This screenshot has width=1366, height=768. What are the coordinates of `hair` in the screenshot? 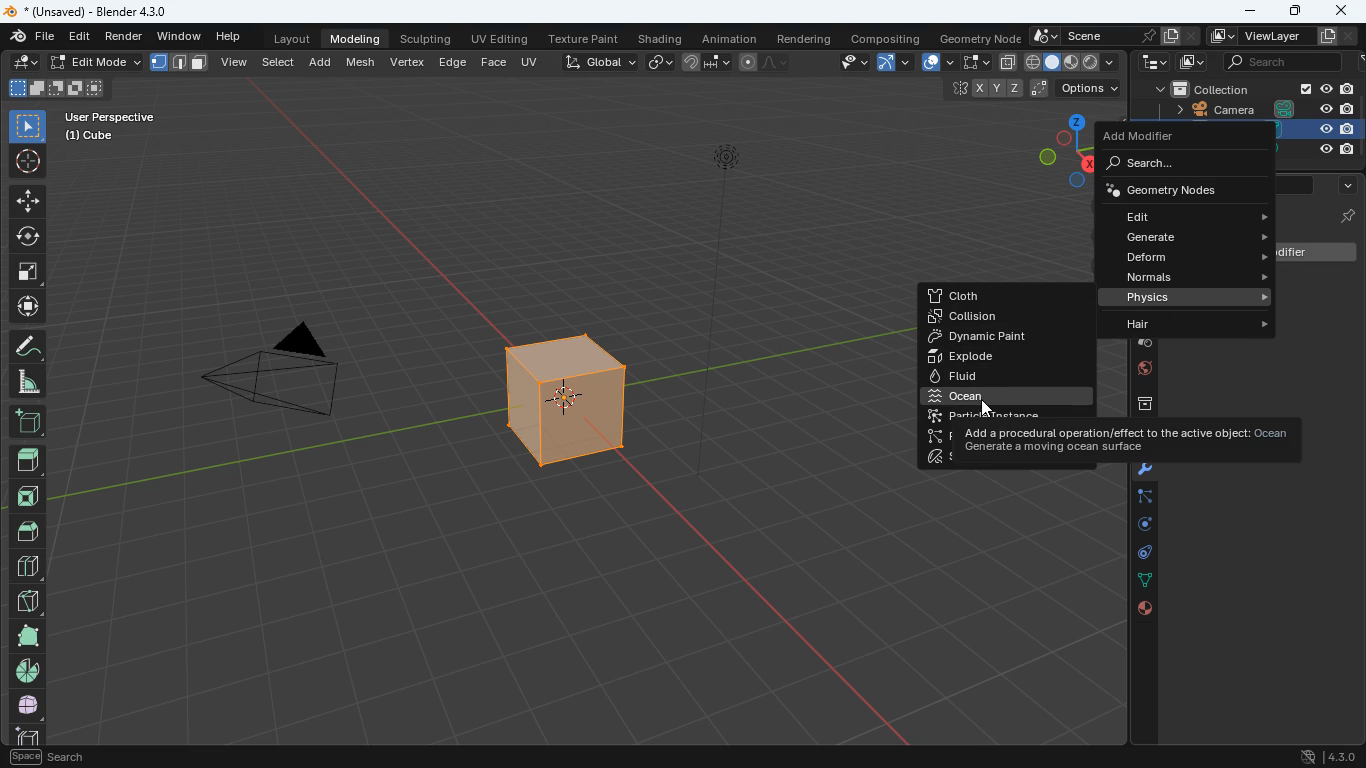 It's located at (1202, 327).